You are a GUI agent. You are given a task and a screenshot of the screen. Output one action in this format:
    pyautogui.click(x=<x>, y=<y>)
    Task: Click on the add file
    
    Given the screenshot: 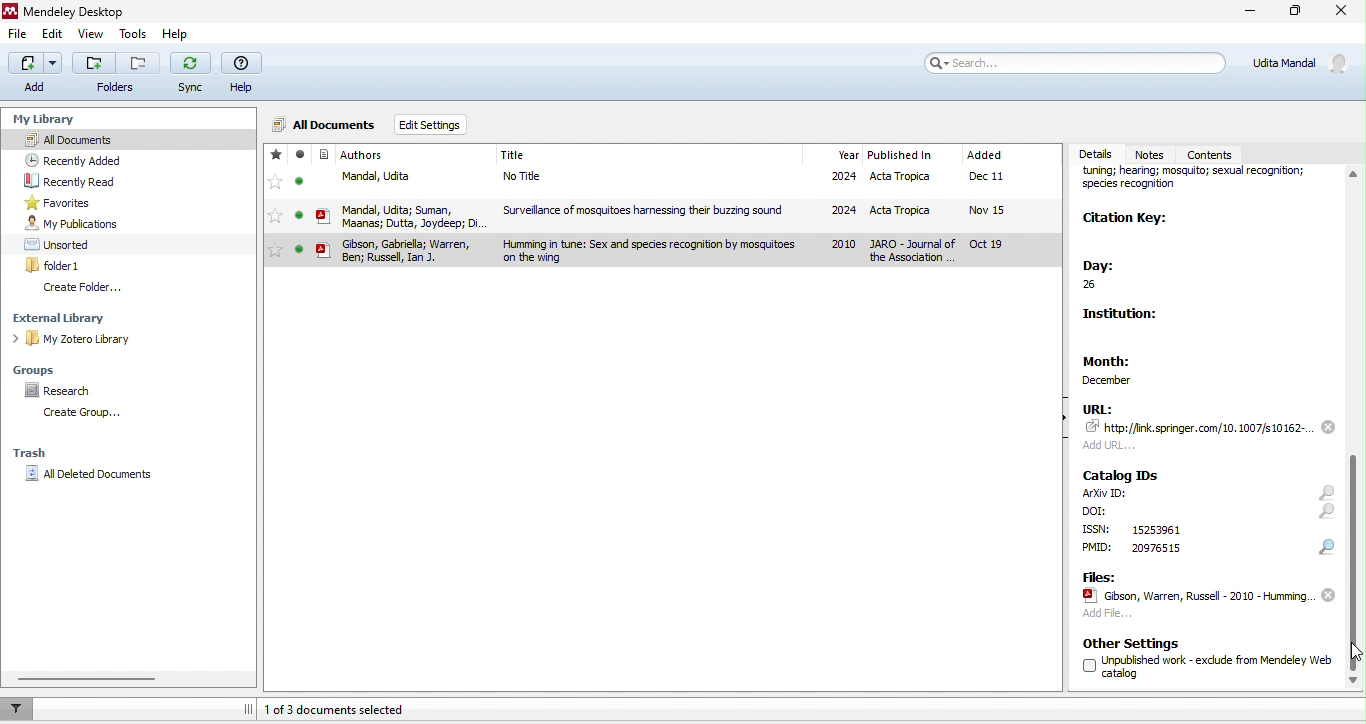 What is the action you would take?
    pyautogui.click(x=1107, y=616)
    